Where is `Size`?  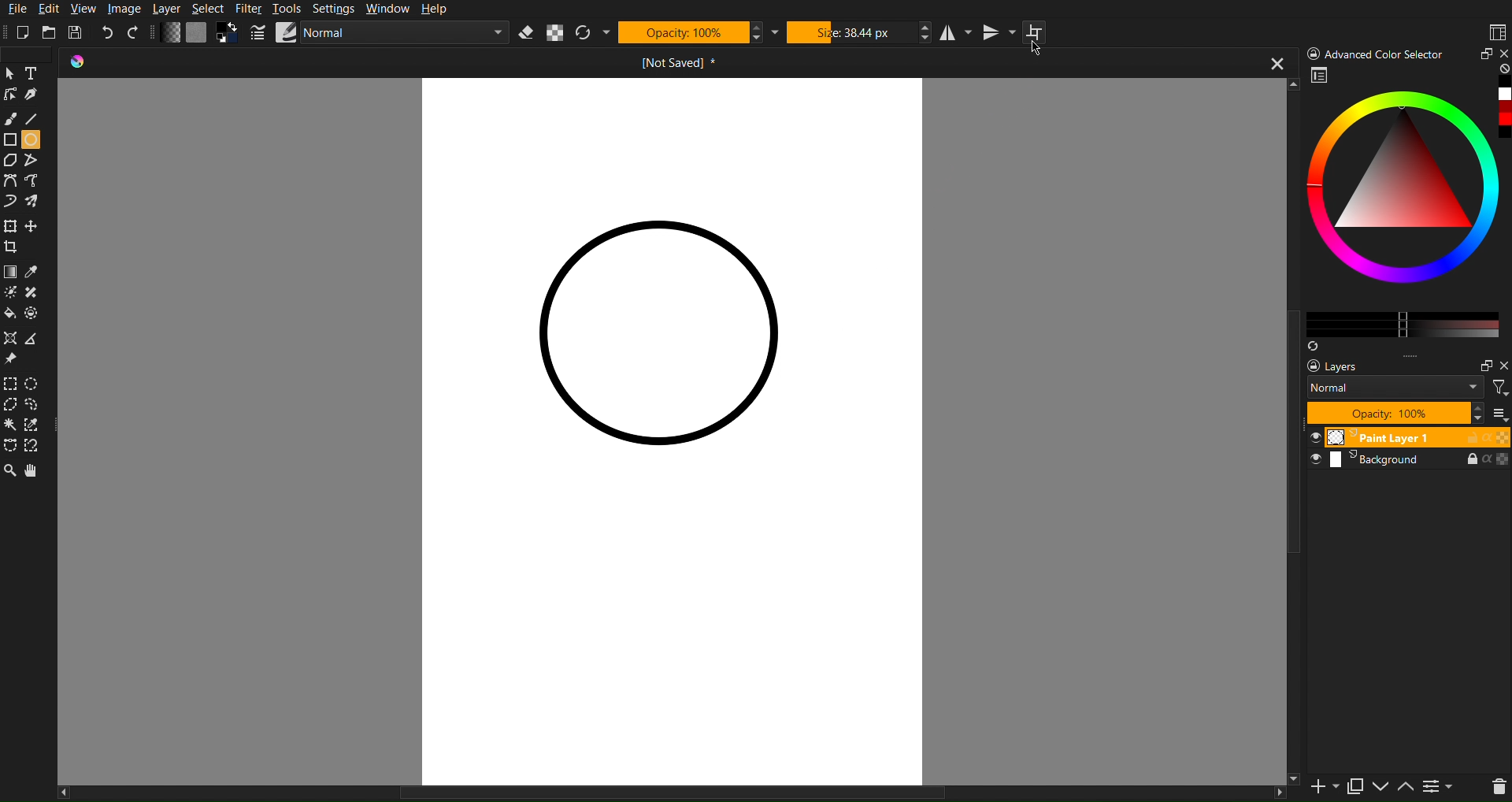
Size is located at coordinates (850, 33).